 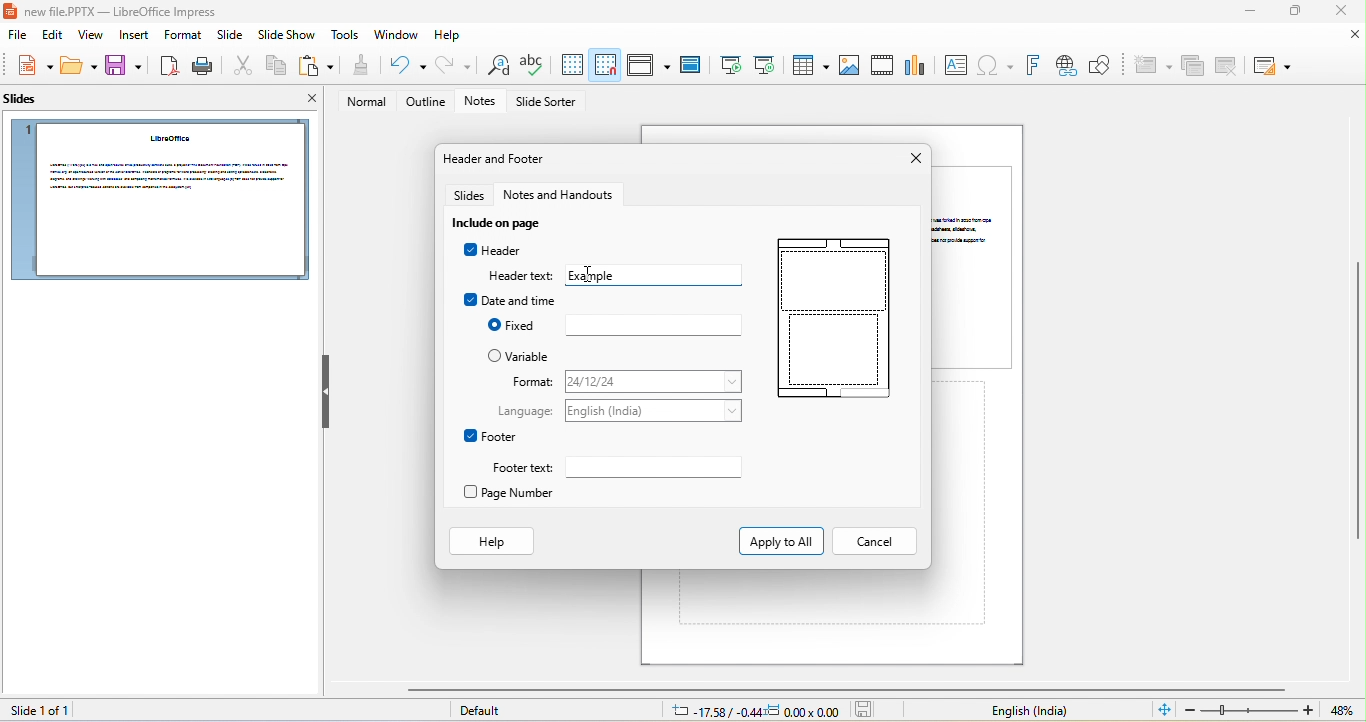 I want to click on normal, so click(x=361, y=102).